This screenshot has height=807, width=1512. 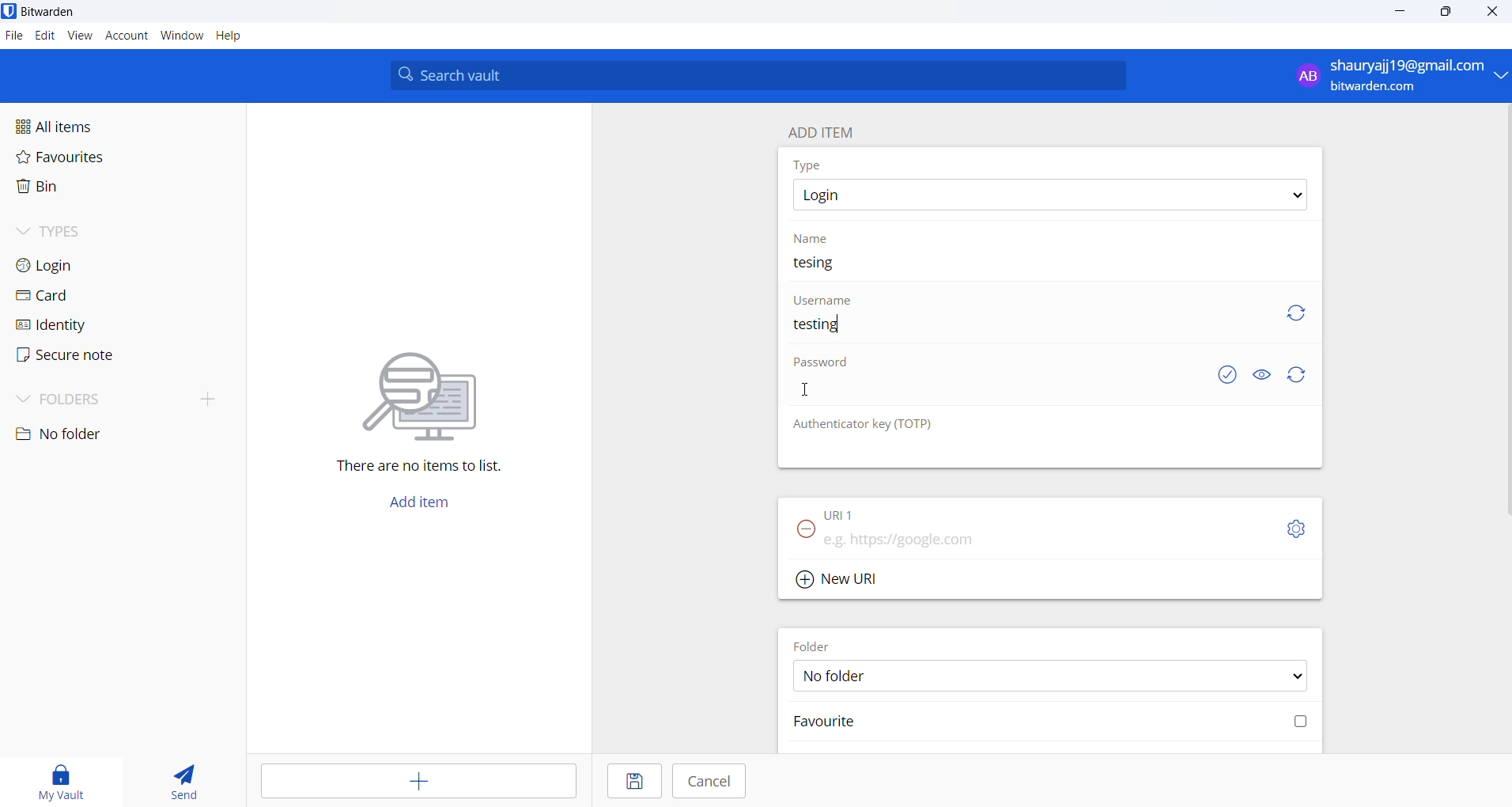 What do you see at coordinates (89, 325) in the screenshot?
I see `identity` at bounding box center [89, 325].